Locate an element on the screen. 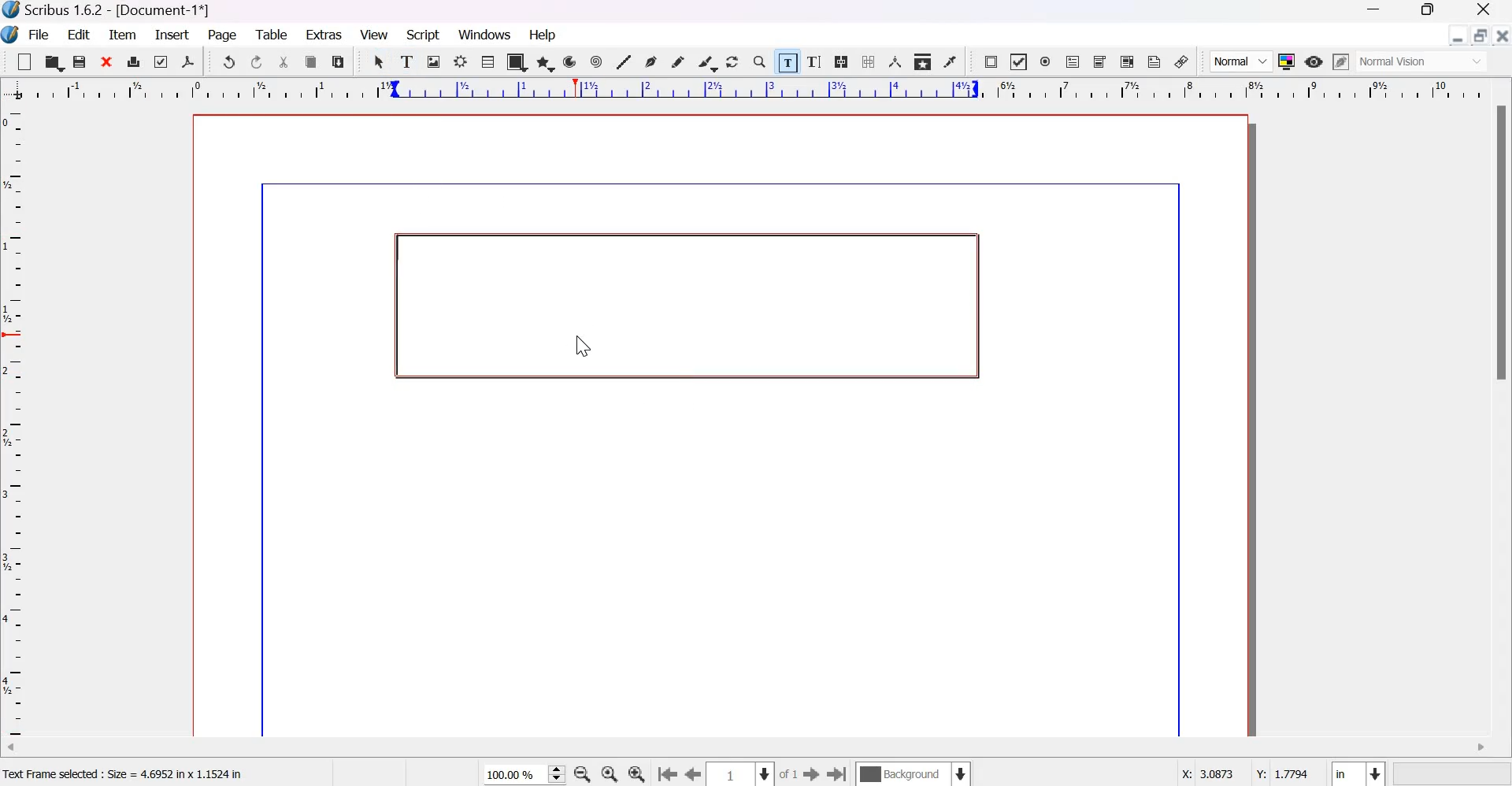 The image size is (1512, 786). Maximize is located at coordinates (1422, 12).